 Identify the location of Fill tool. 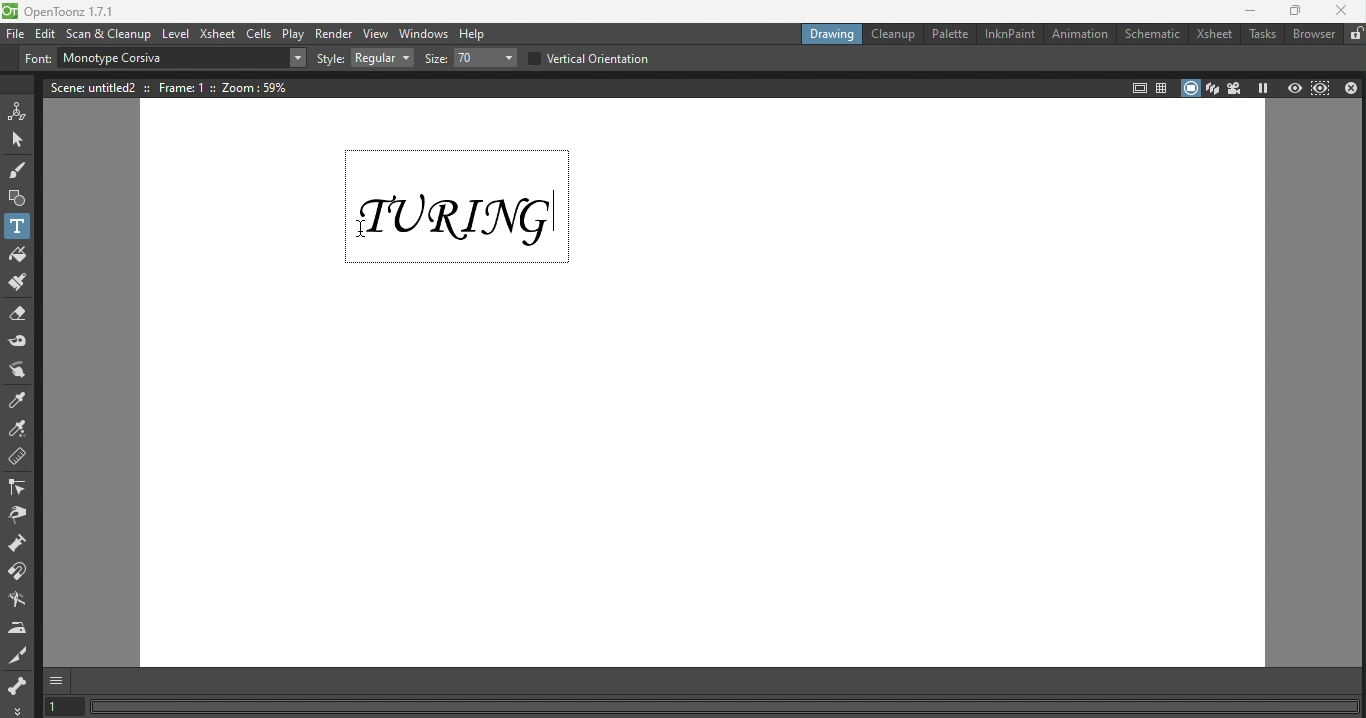
(19, 254).